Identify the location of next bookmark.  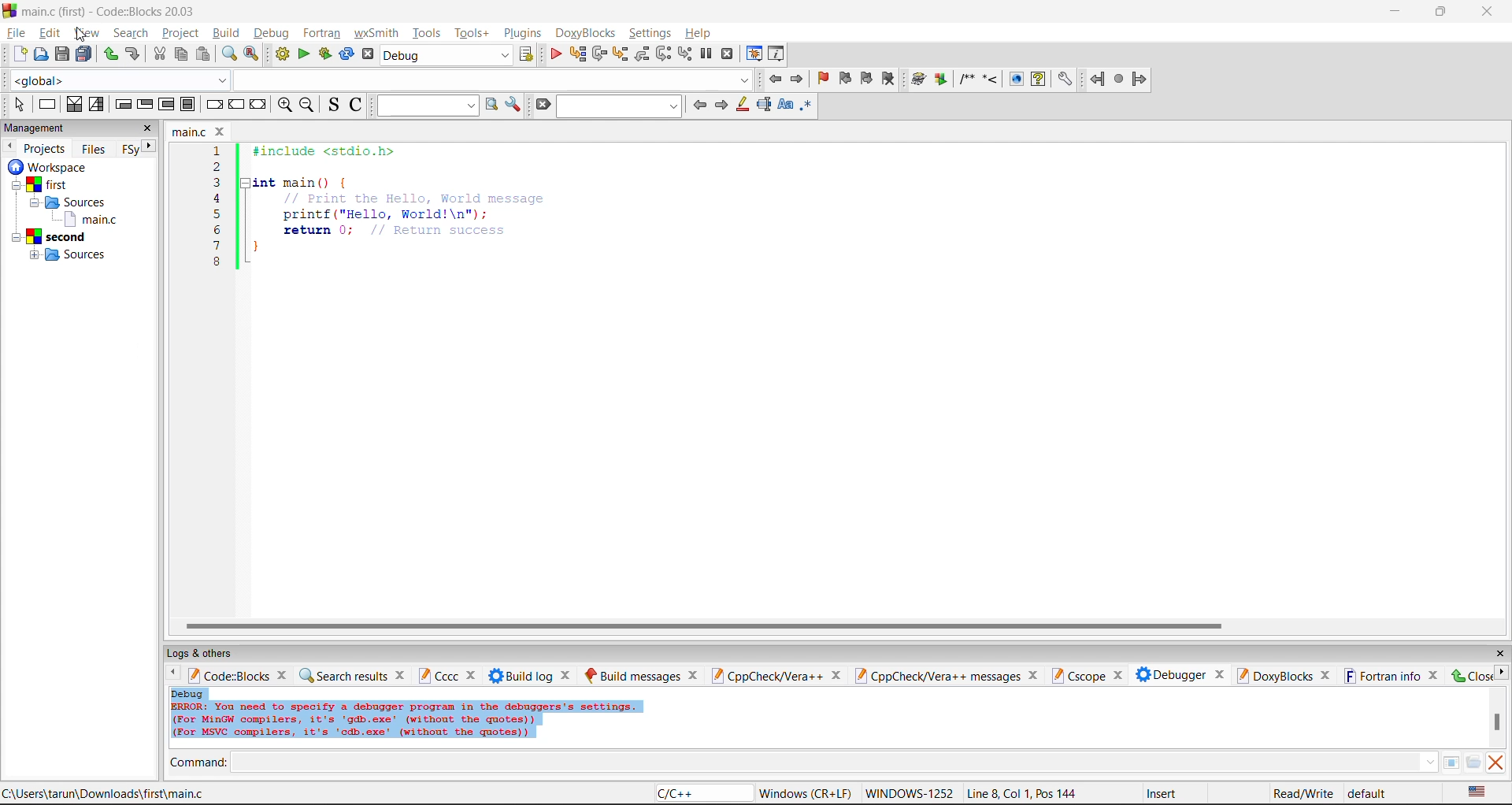
(869, 76).